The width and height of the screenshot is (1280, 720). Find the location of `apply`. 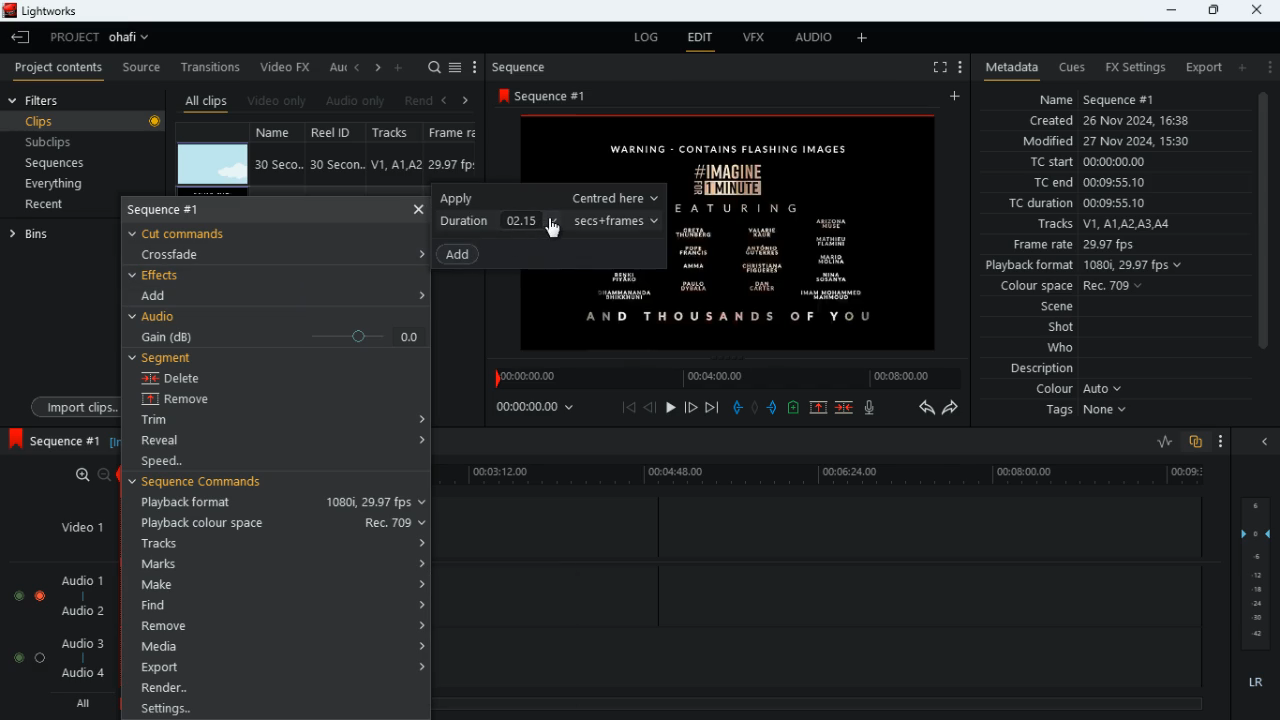

apply is located at coordinates (548, 198).